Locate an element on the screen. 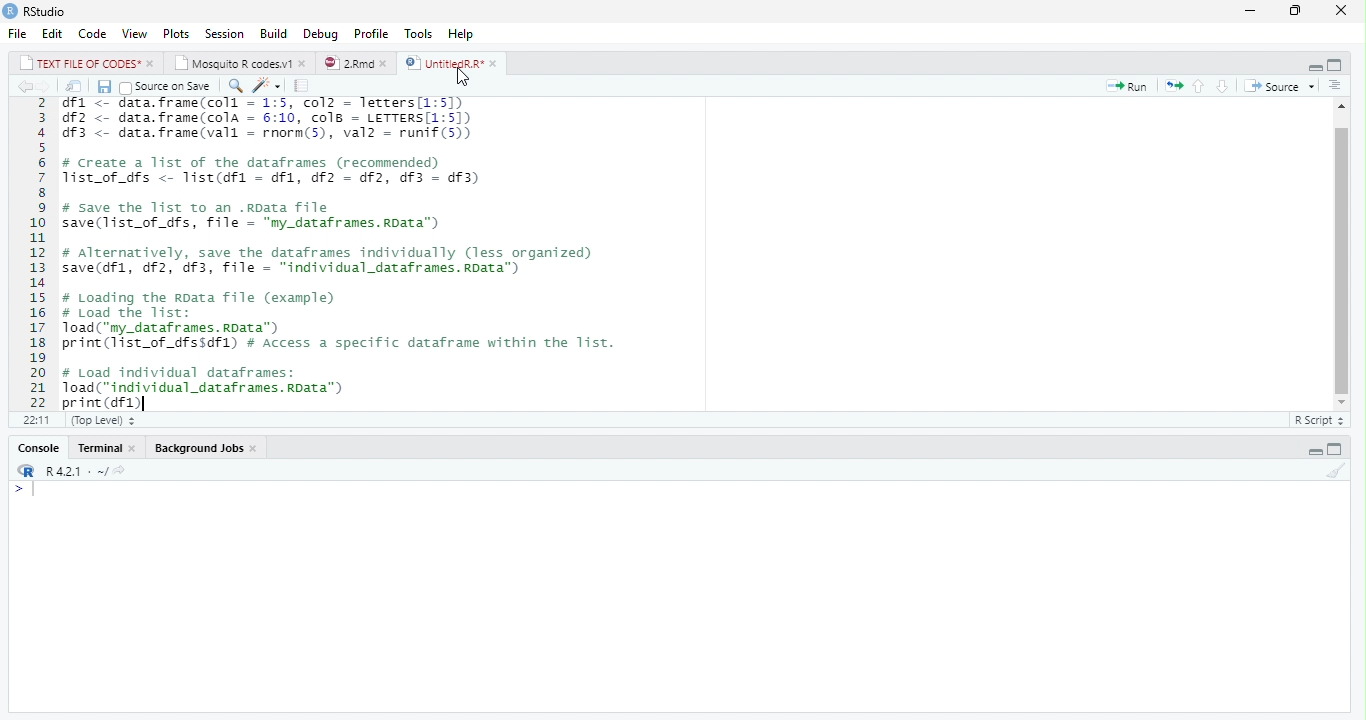 The width and height of the screenshot is (1366, 720). Code Tools is located at coordinates (268, 87).